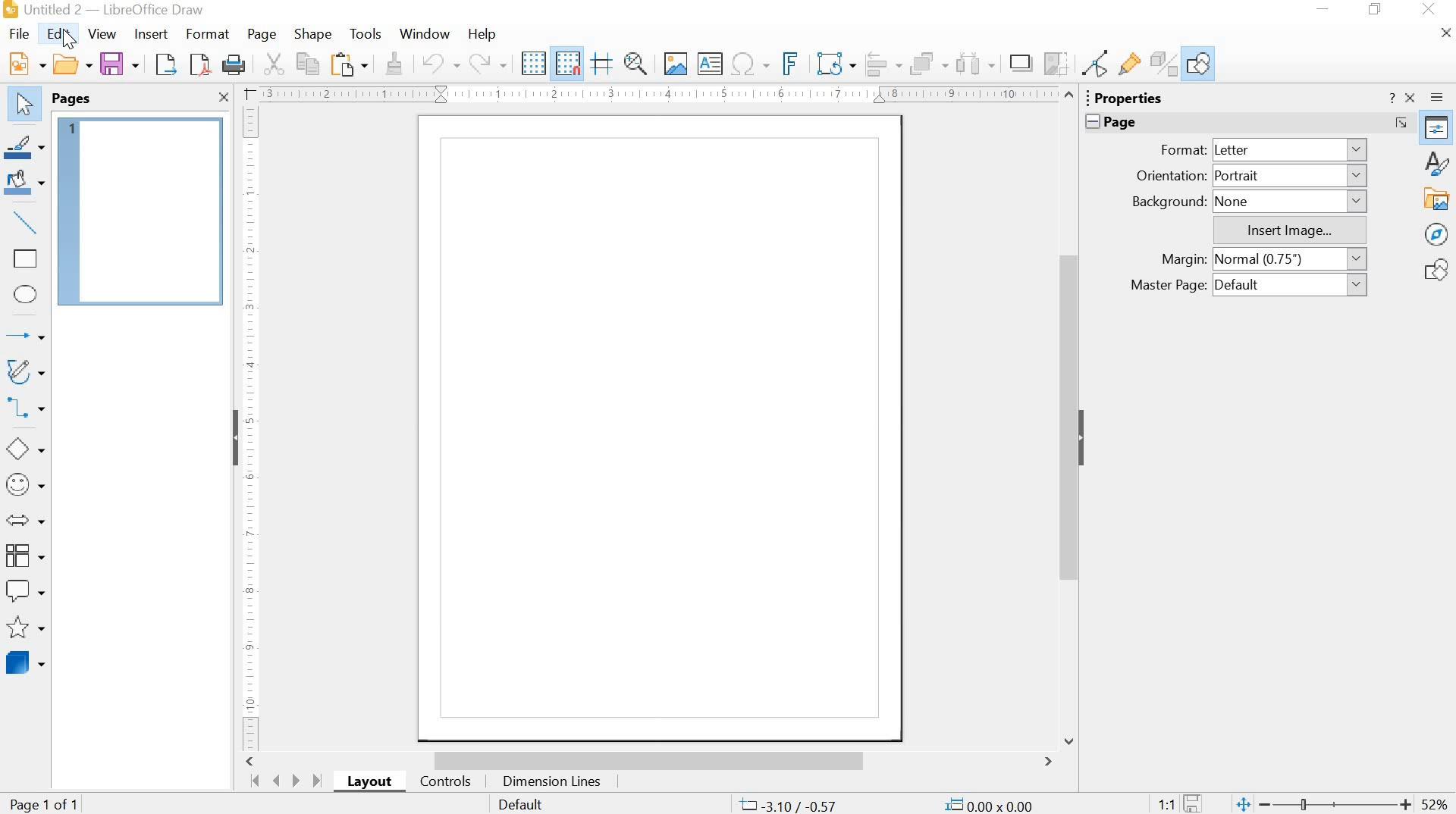 This screenshot has width=1456, height=814. Describe the element at coordinates (72, 64) in the screenshot. I see `Open` at that location.